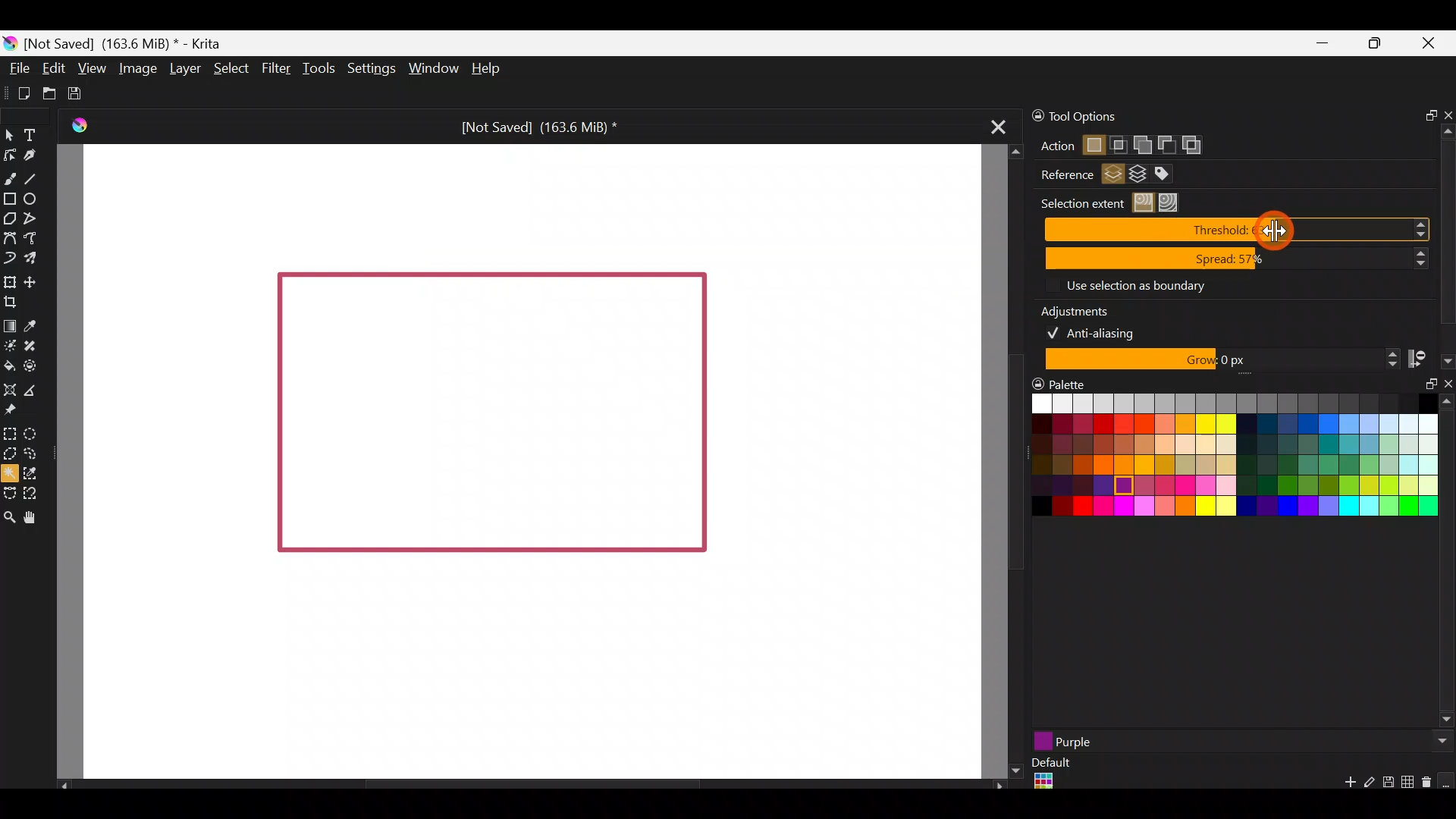 The image size is (1456, 819). I want to click on Close docker, so click(1446, 387).